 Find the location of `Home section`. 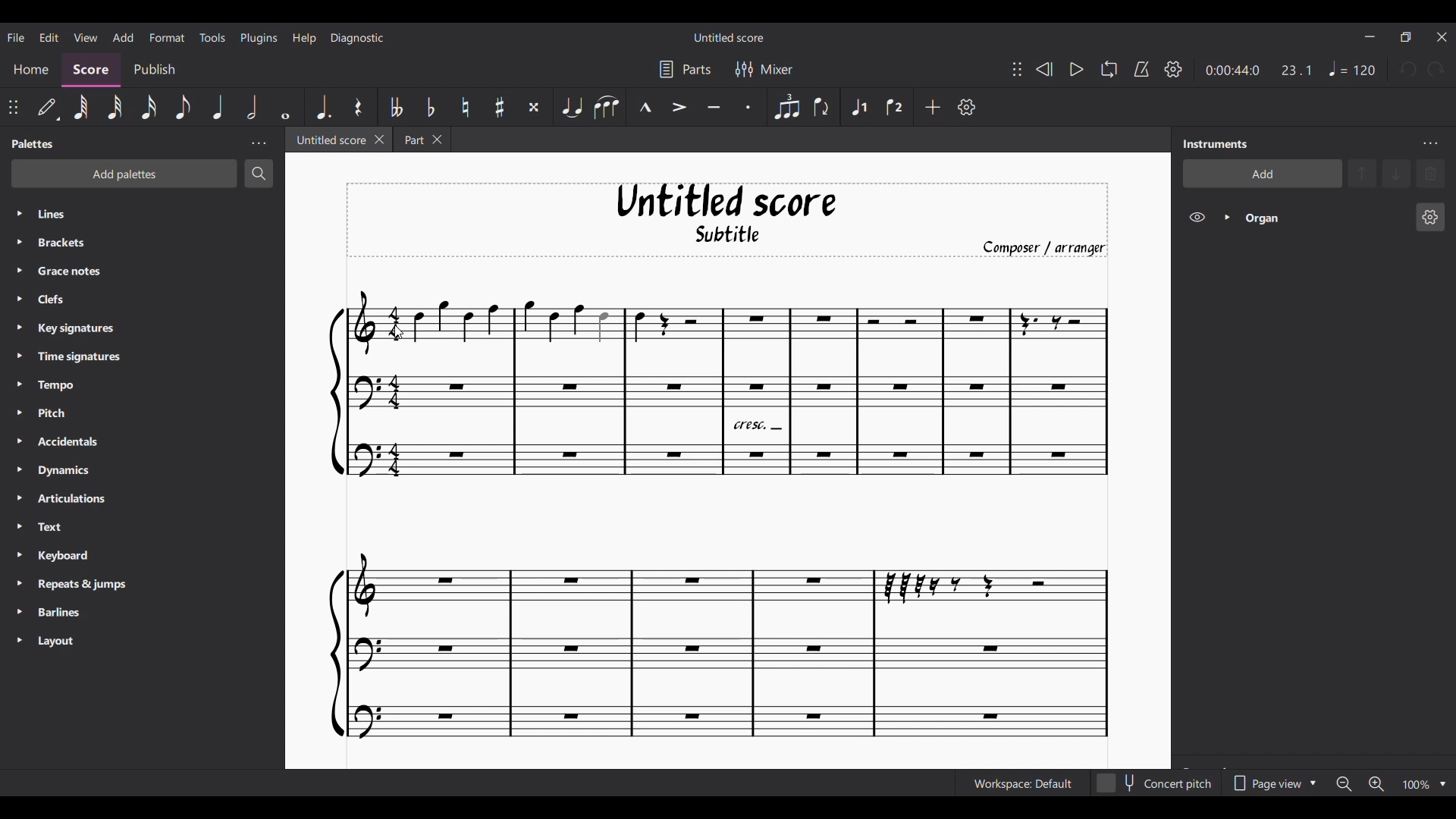

Home section is located at coordinates (30, 70).